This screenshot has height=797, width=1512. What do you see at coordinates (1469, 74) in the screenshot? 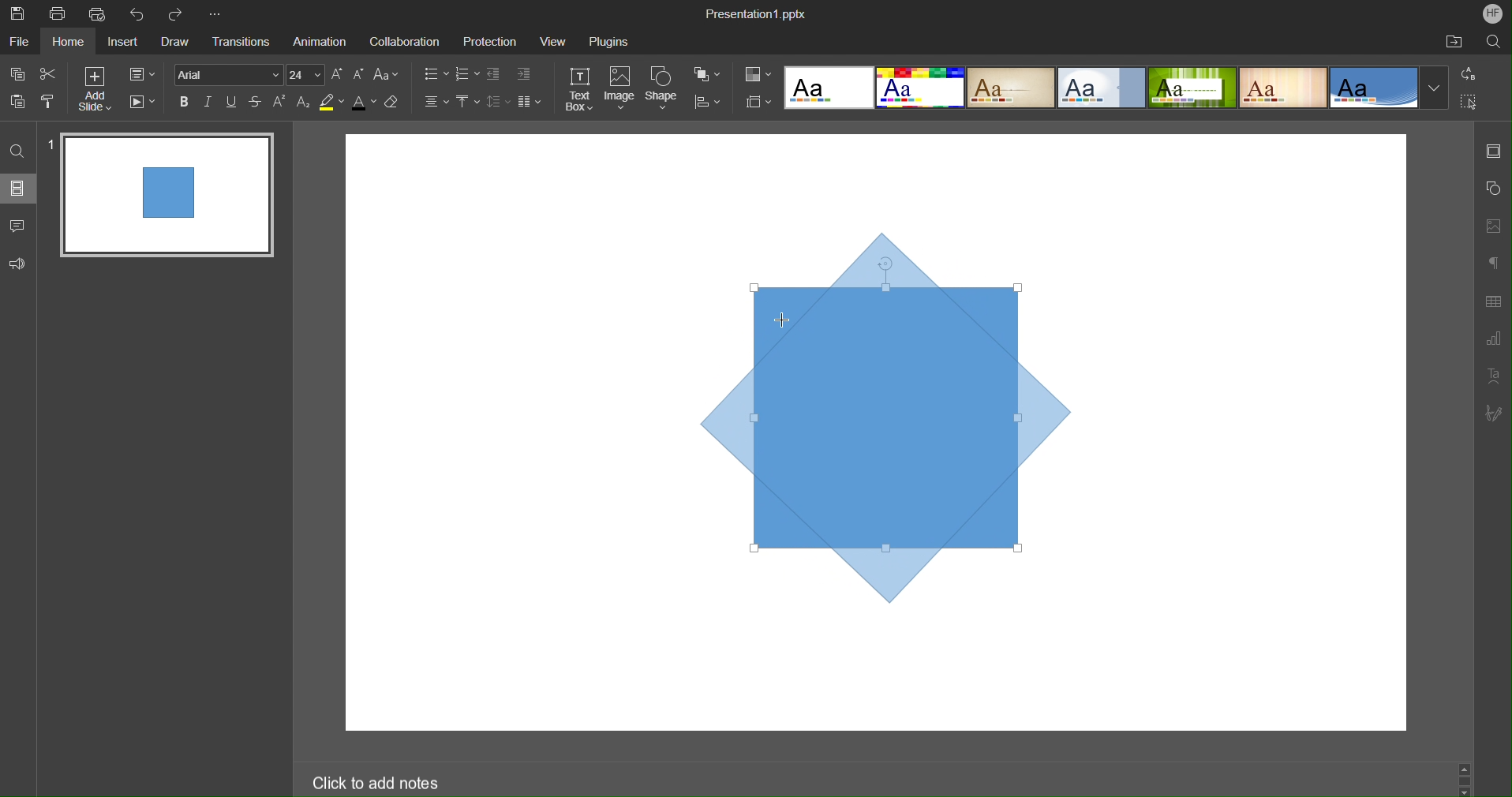
I see `Replace` at bounding box center [1469, 74].